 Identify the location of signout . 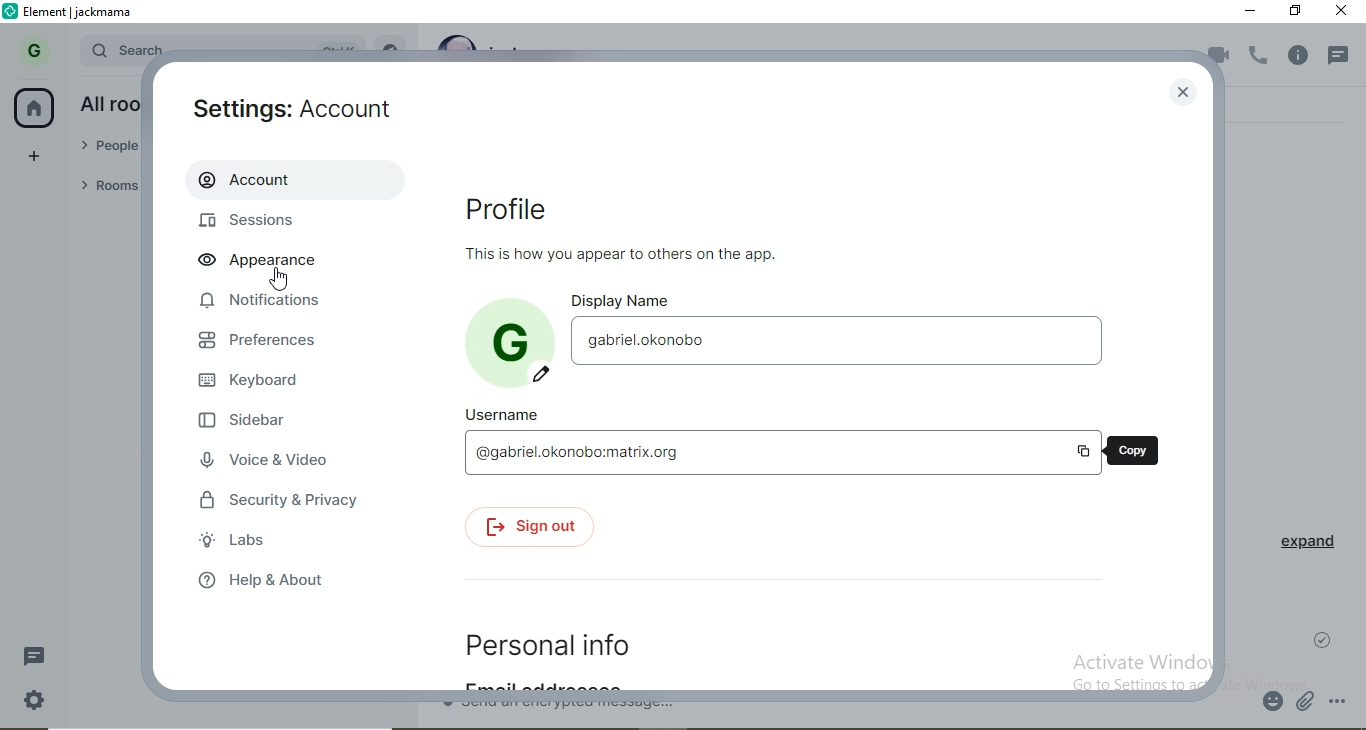
(528, 526).